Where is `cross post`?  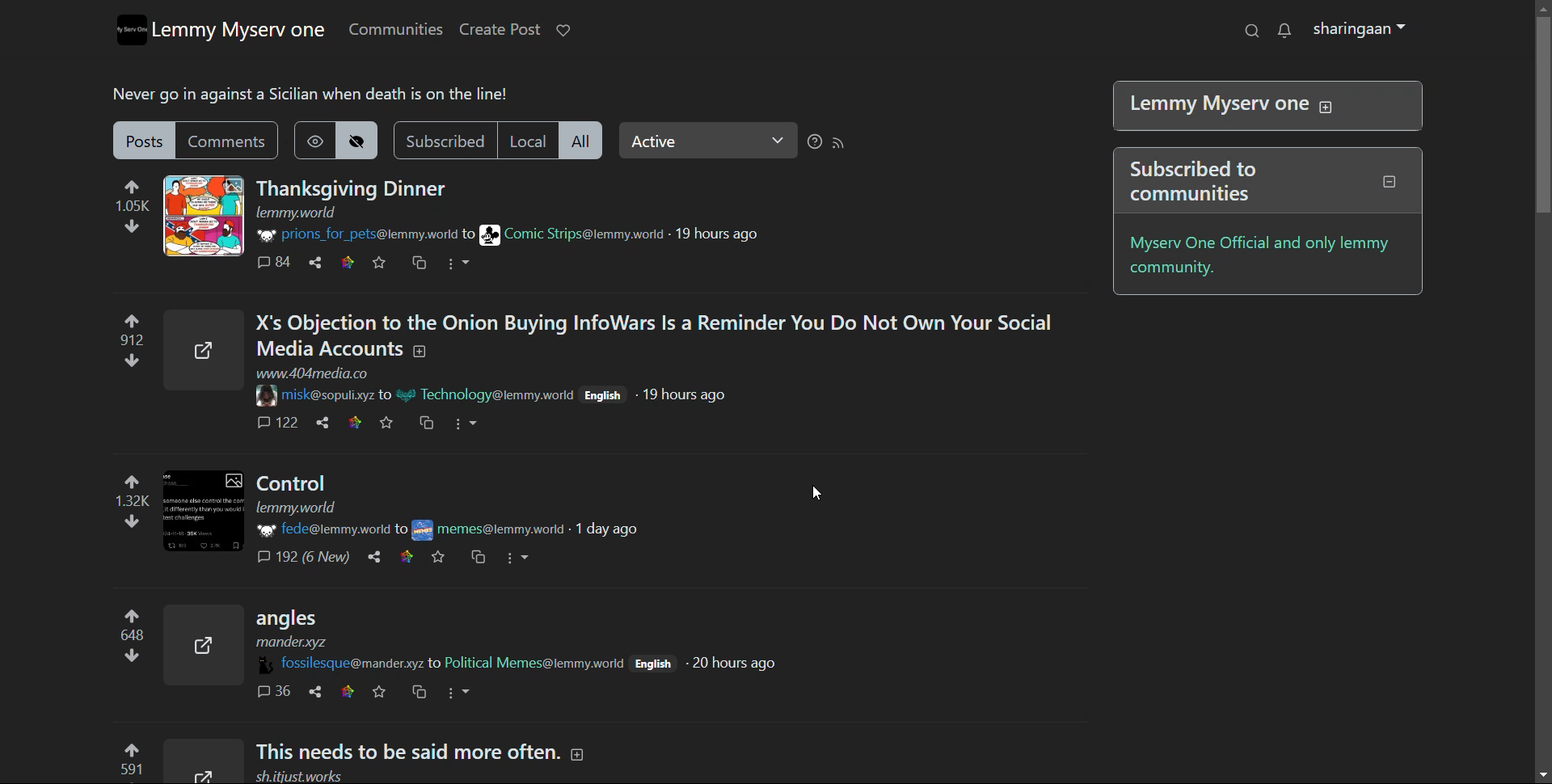
cross post is located at coordinates (419, 263).